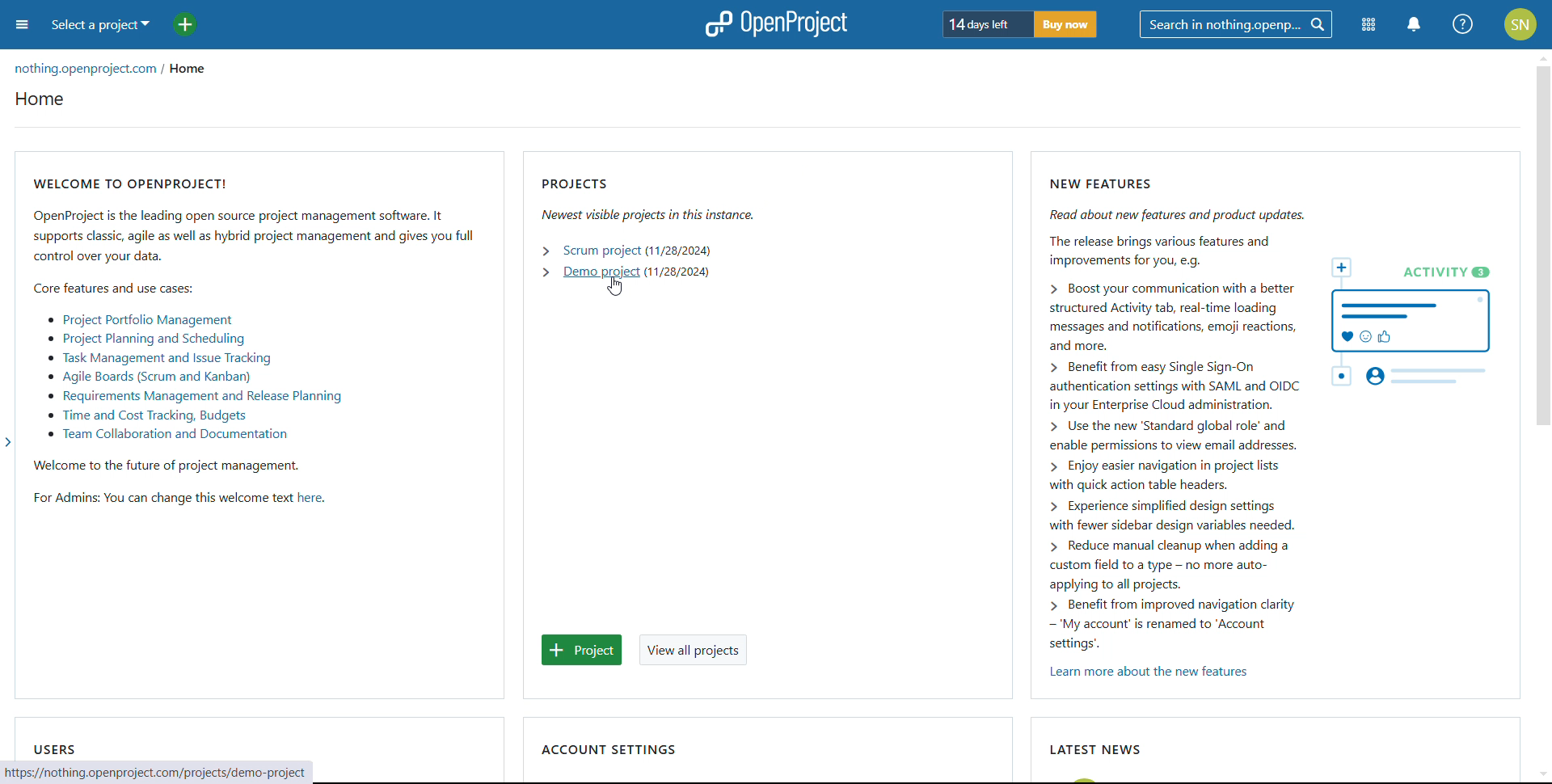 The height and width of the screenshot is (784, 1552). What do you see at coordinates (1064, 24) in the screenshot?
I see `buy now` at bounding box center [1064, 24].